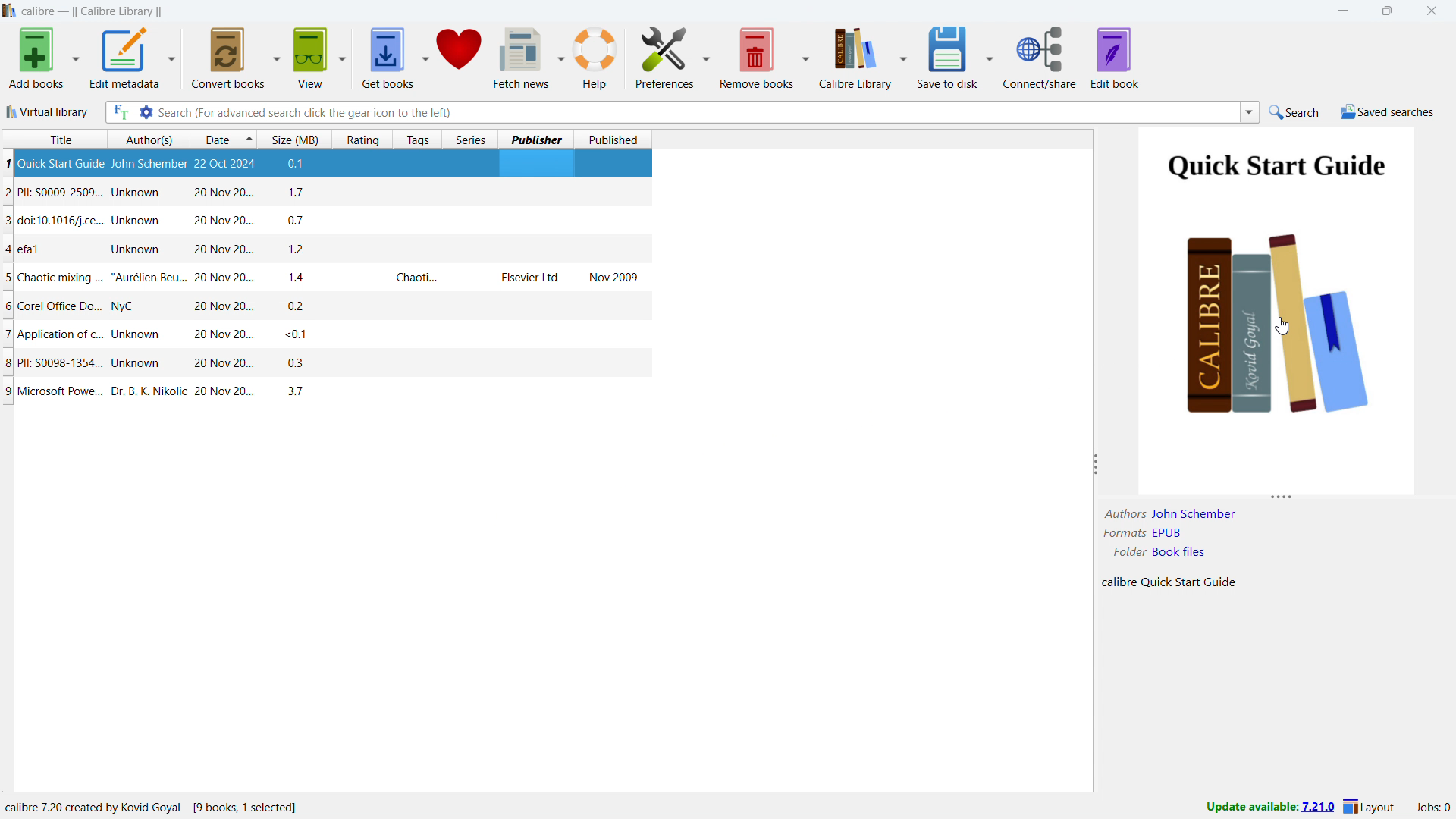 This screenshot has height=819, width=1456. I want to click on series, so click(471, 138).